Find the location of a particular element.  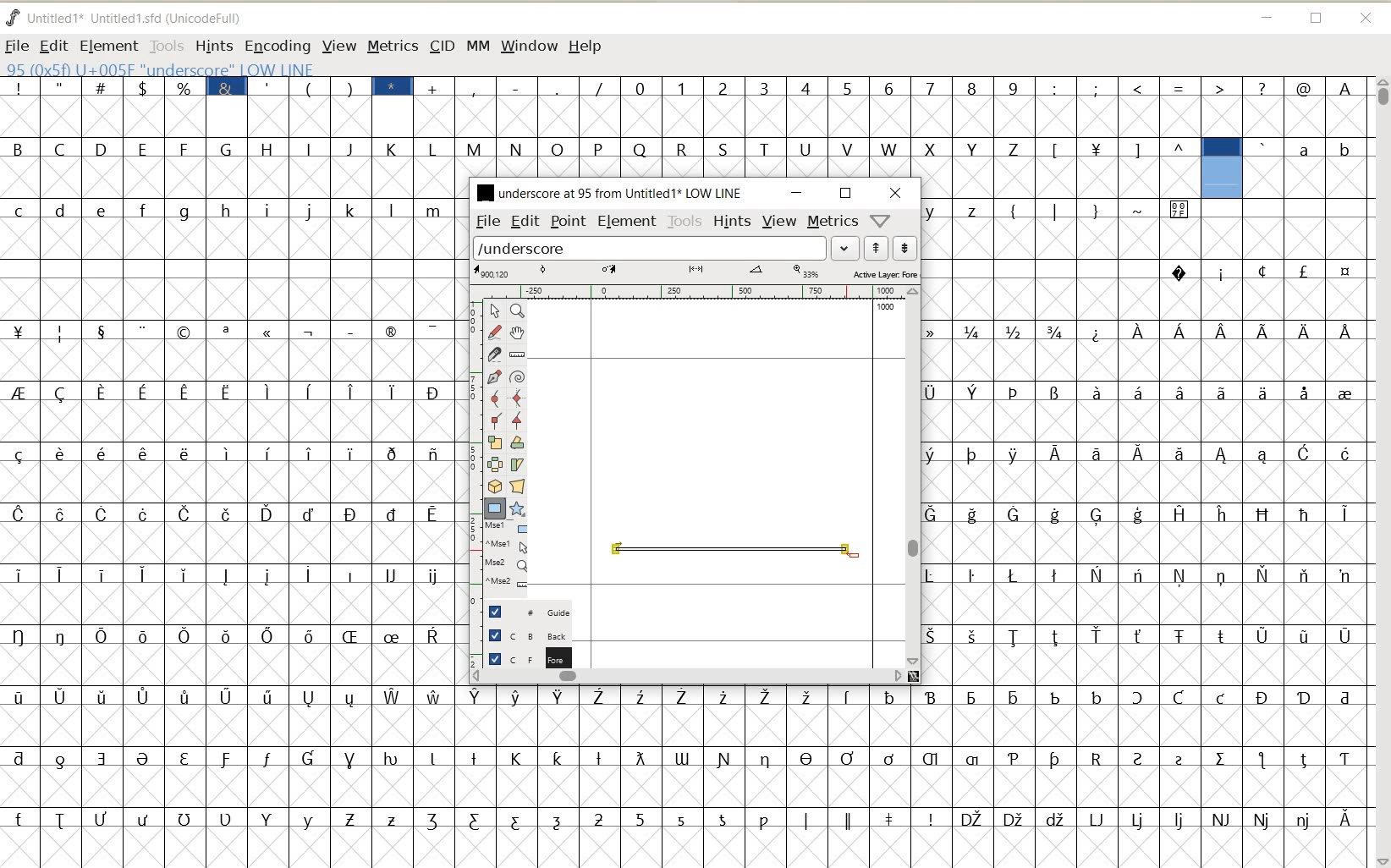

EXPAND is located at coordinates (846, 249).